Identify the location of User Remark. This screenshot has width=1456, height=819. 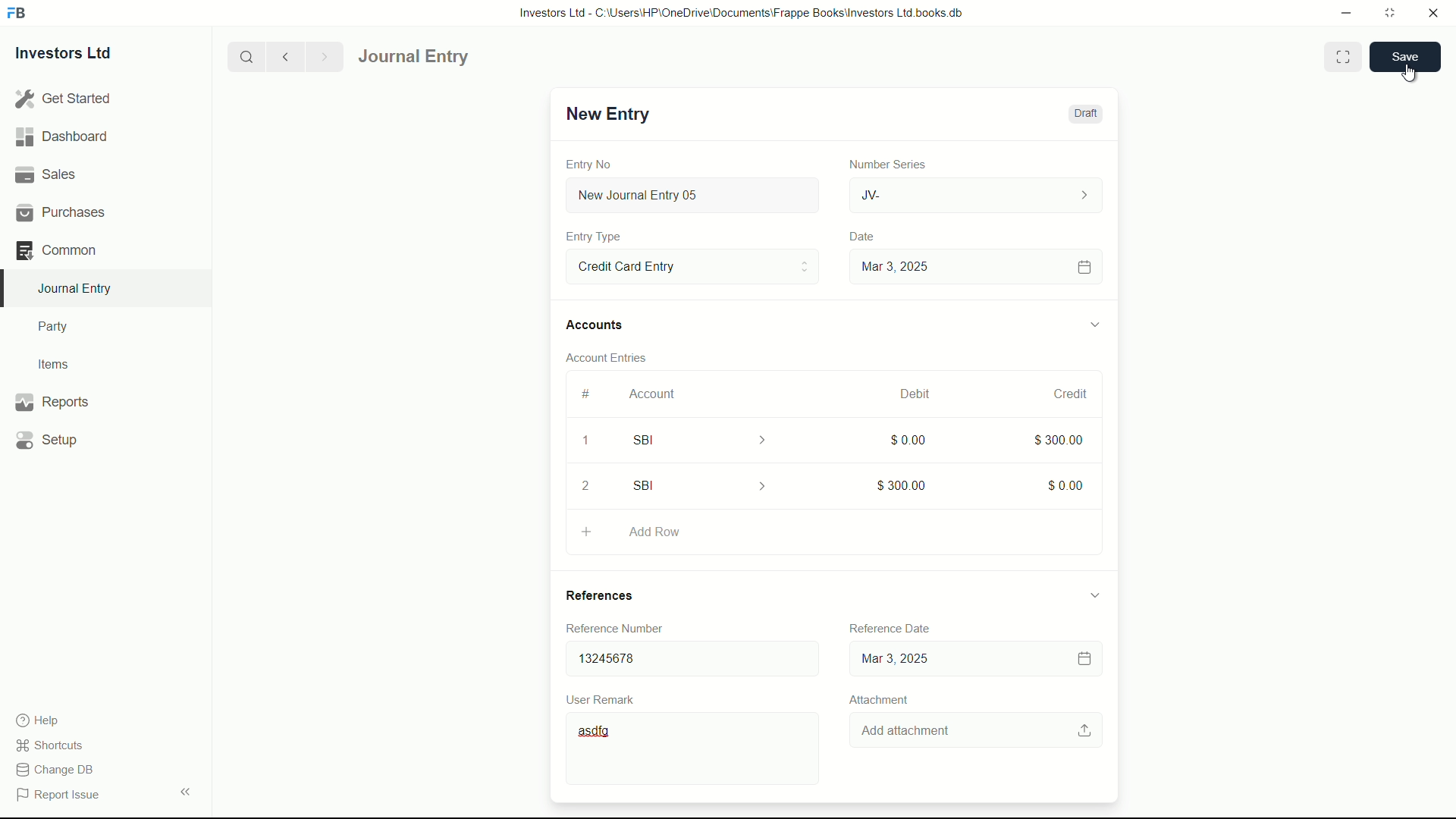
(604, 698).